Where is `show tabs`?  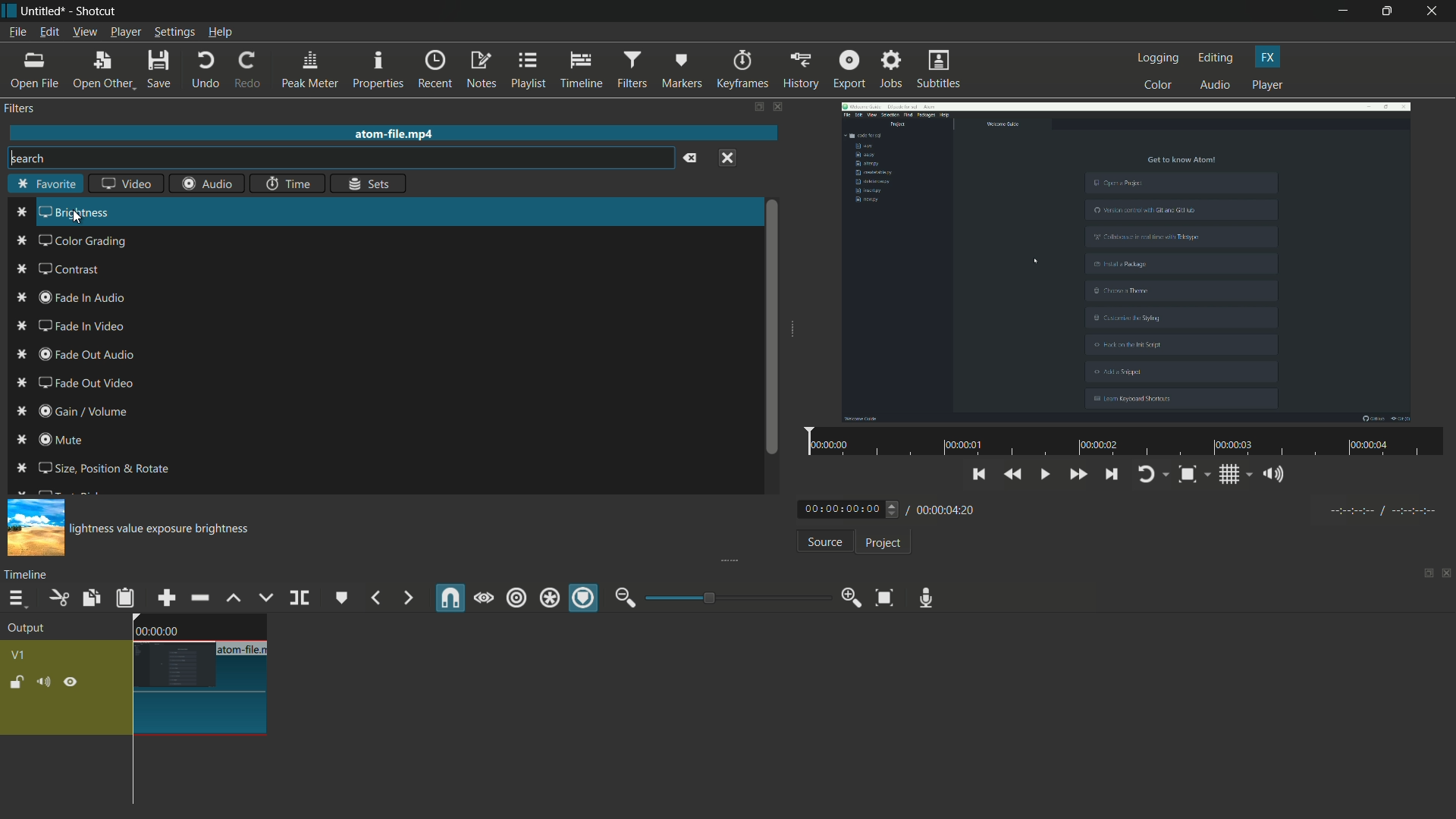
show tabs is located at coordinates (1423, 575).